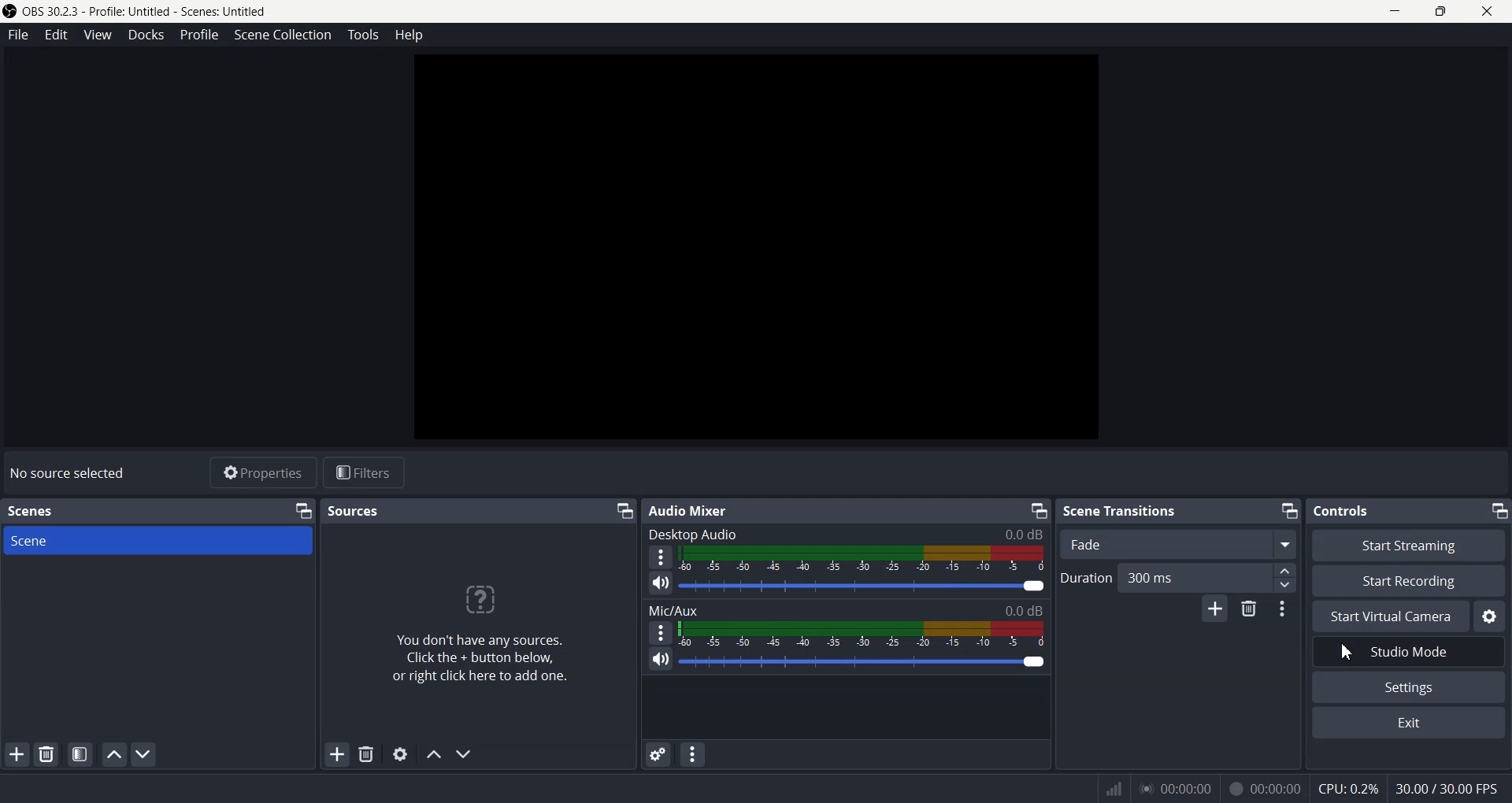 The height and width of the screenshot is (803, 1512). I want to click on Mic/Aux, so click(847, 610).